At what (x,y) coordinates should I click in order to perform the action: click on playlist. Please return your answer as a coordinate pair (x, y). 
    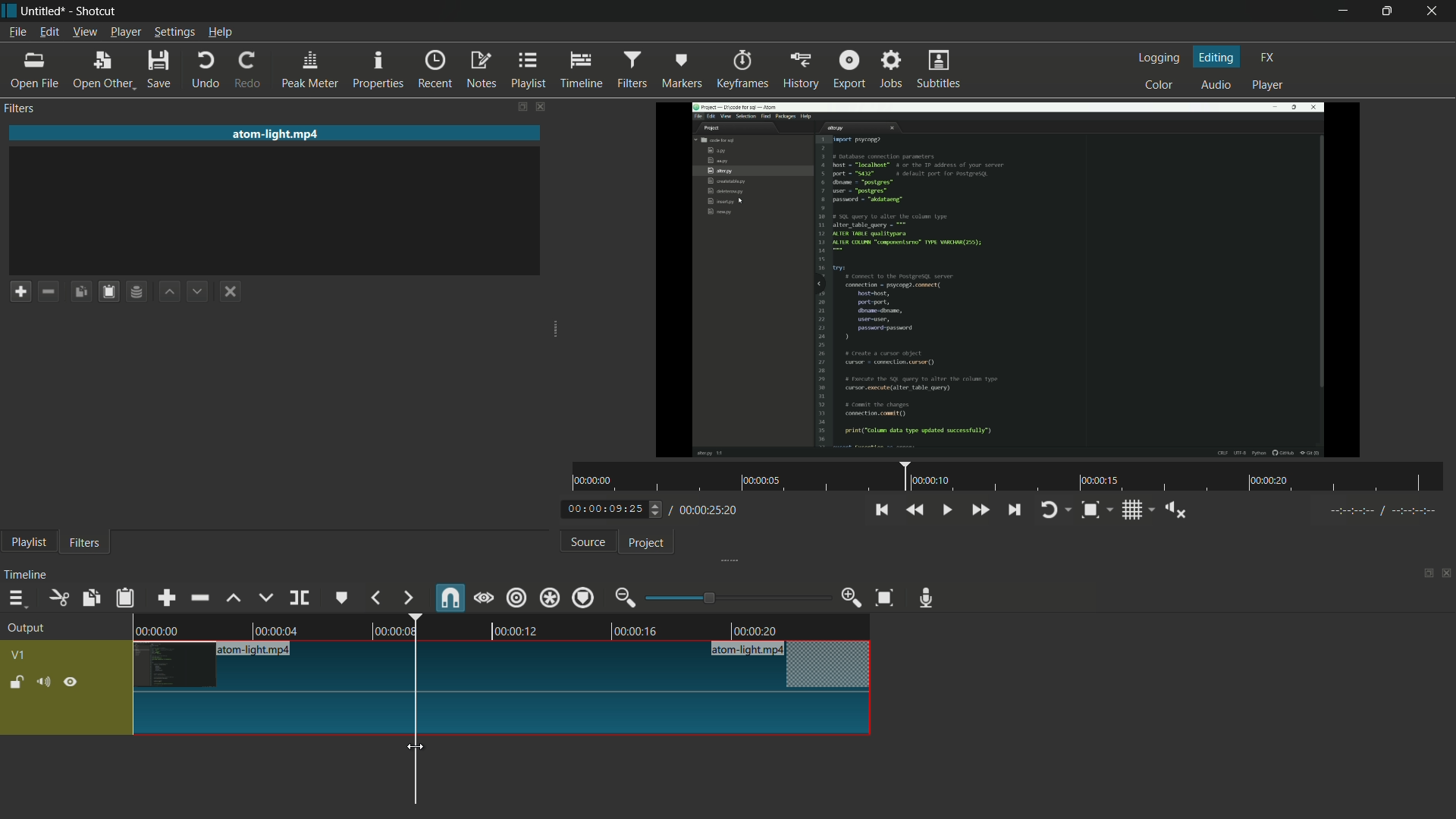
    Looking at the image, I should click on (28, 544).